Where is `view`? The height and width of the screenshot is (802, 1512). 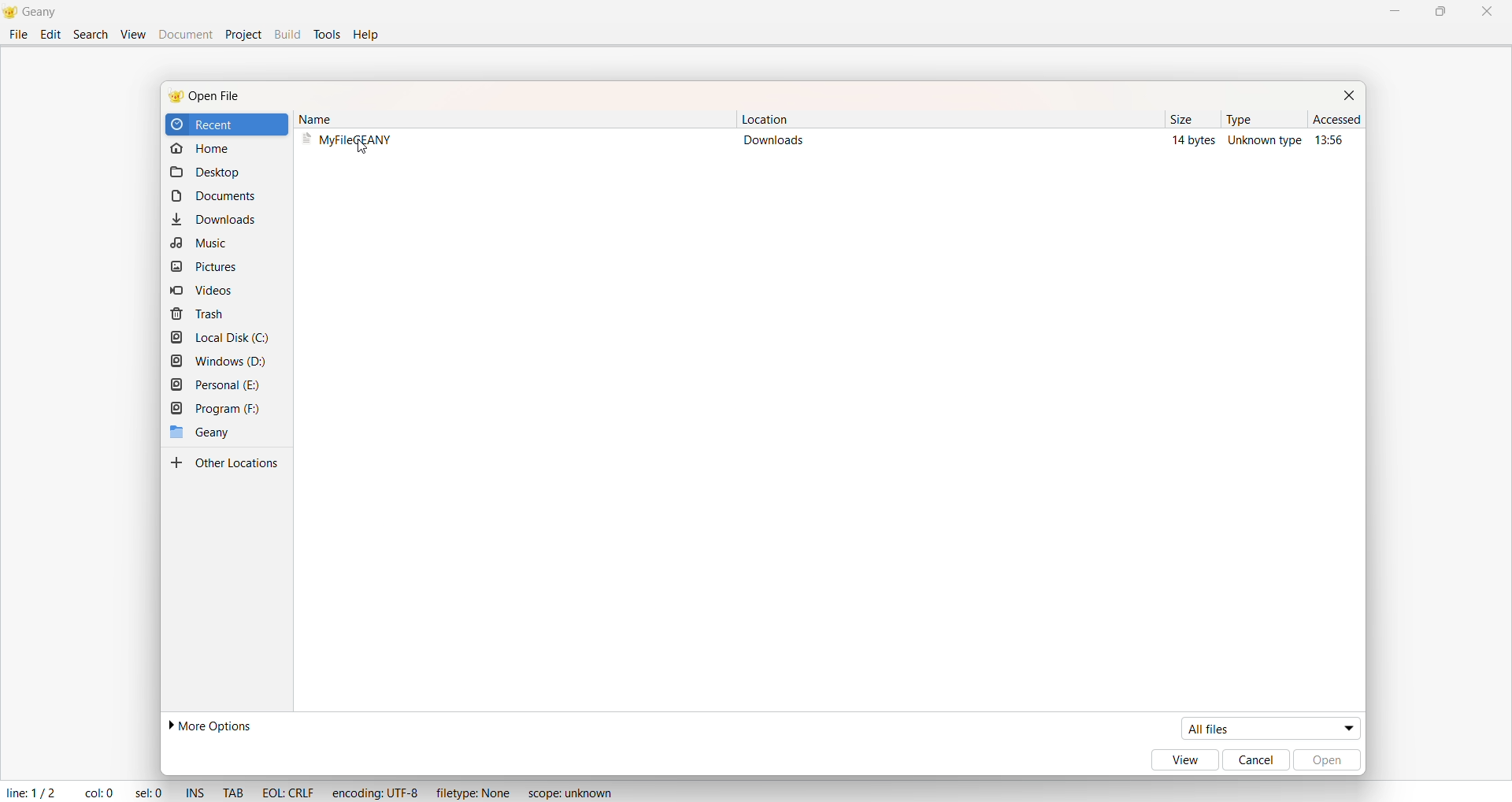
view is located at coordinates (1180, 760).